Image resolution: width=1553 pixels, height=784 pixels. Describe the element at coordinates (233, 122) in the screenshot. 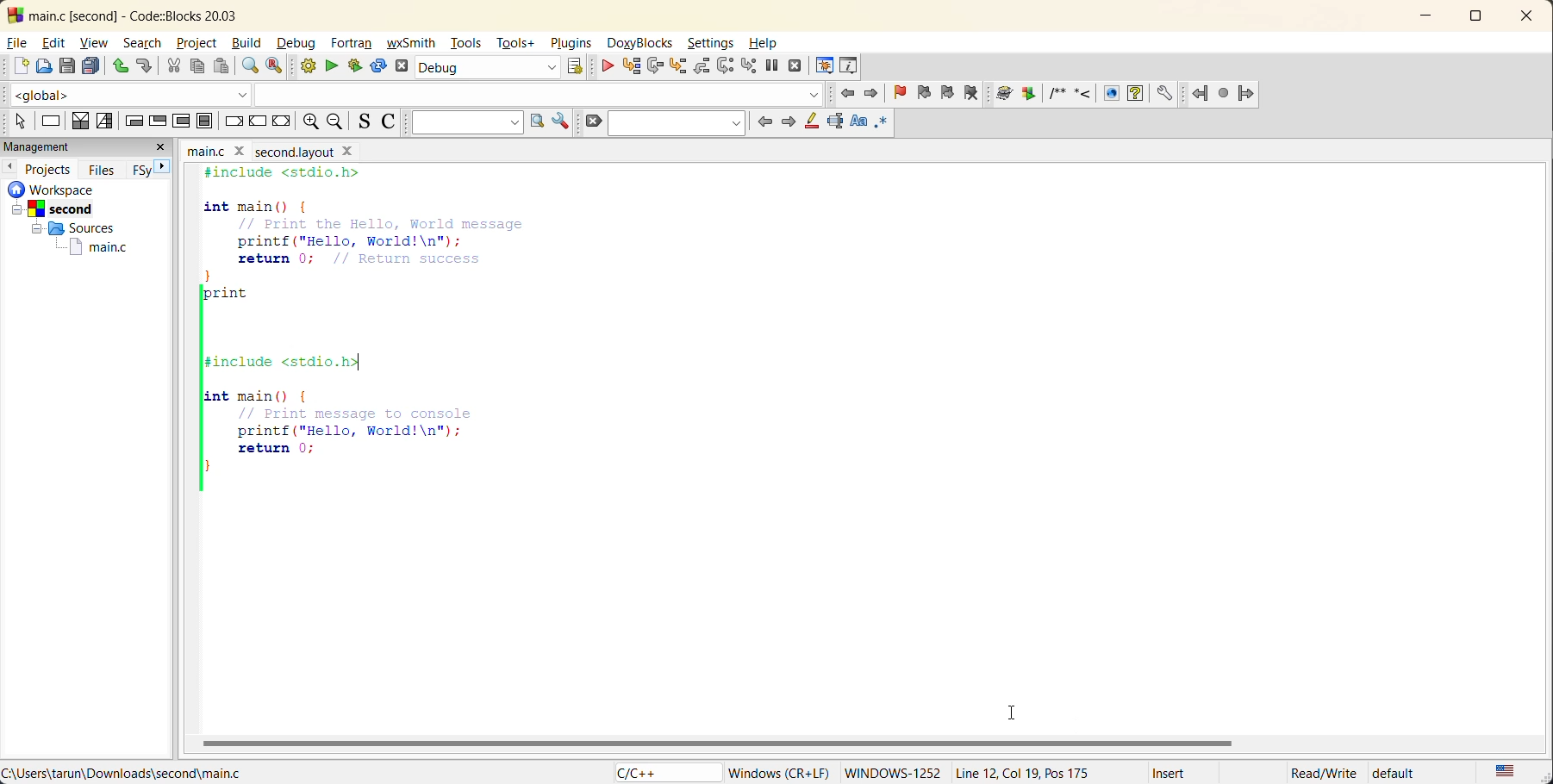

I see `break instruction` at that location.